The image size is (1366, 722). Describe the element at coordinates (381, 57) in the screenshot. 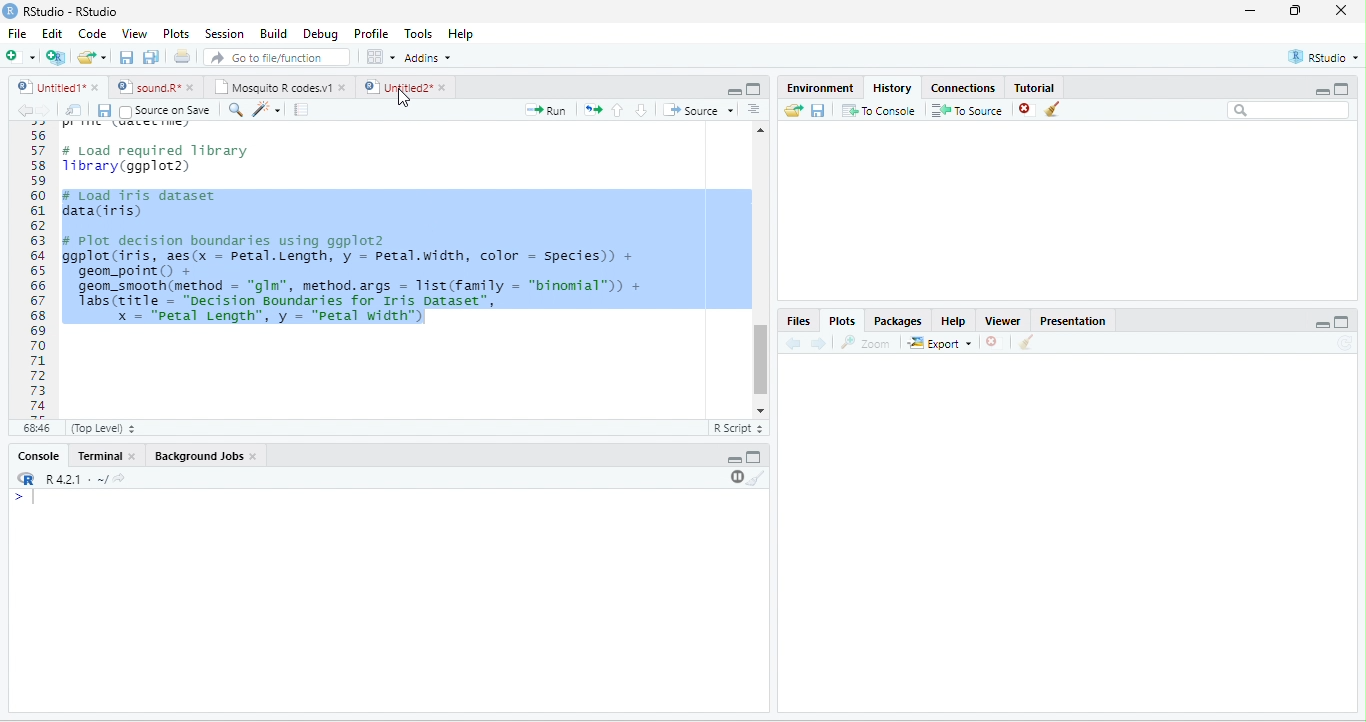

I see `options` at that location.